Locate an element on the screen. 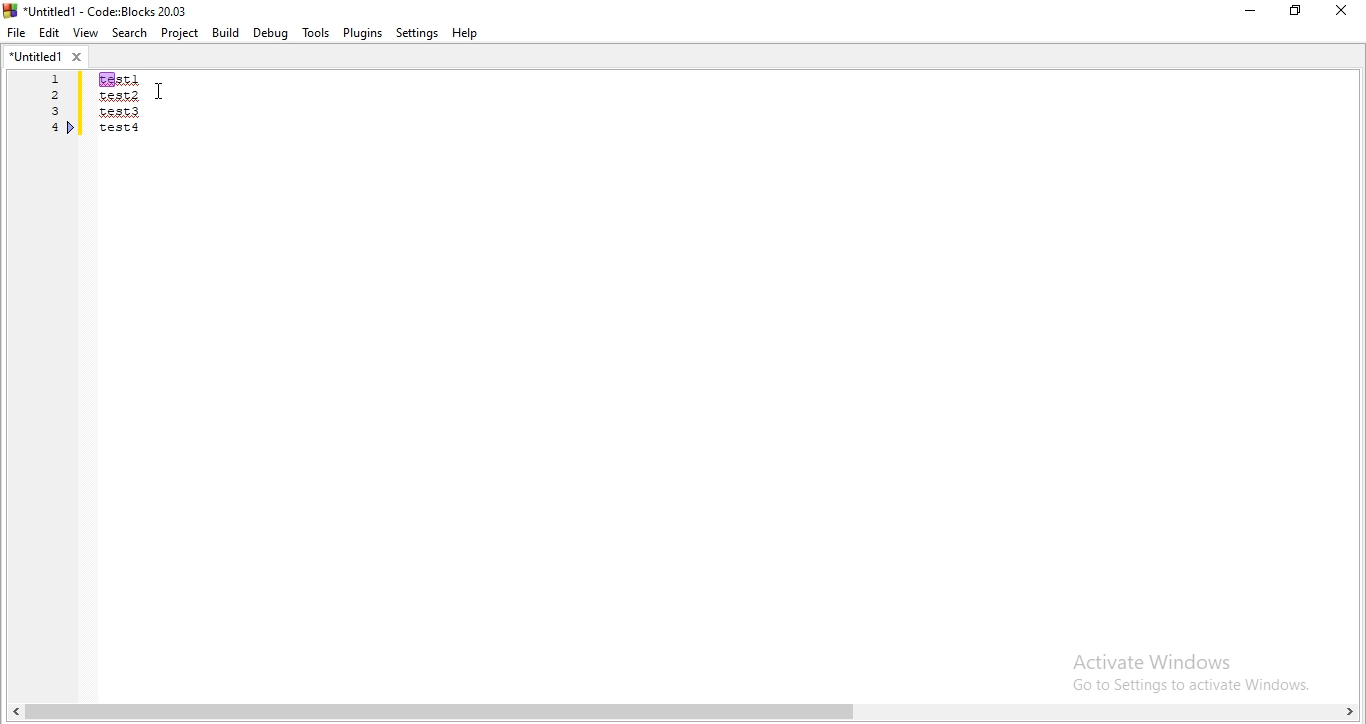 The image size is (1366, 724). file is located at coordinates (16, 31).